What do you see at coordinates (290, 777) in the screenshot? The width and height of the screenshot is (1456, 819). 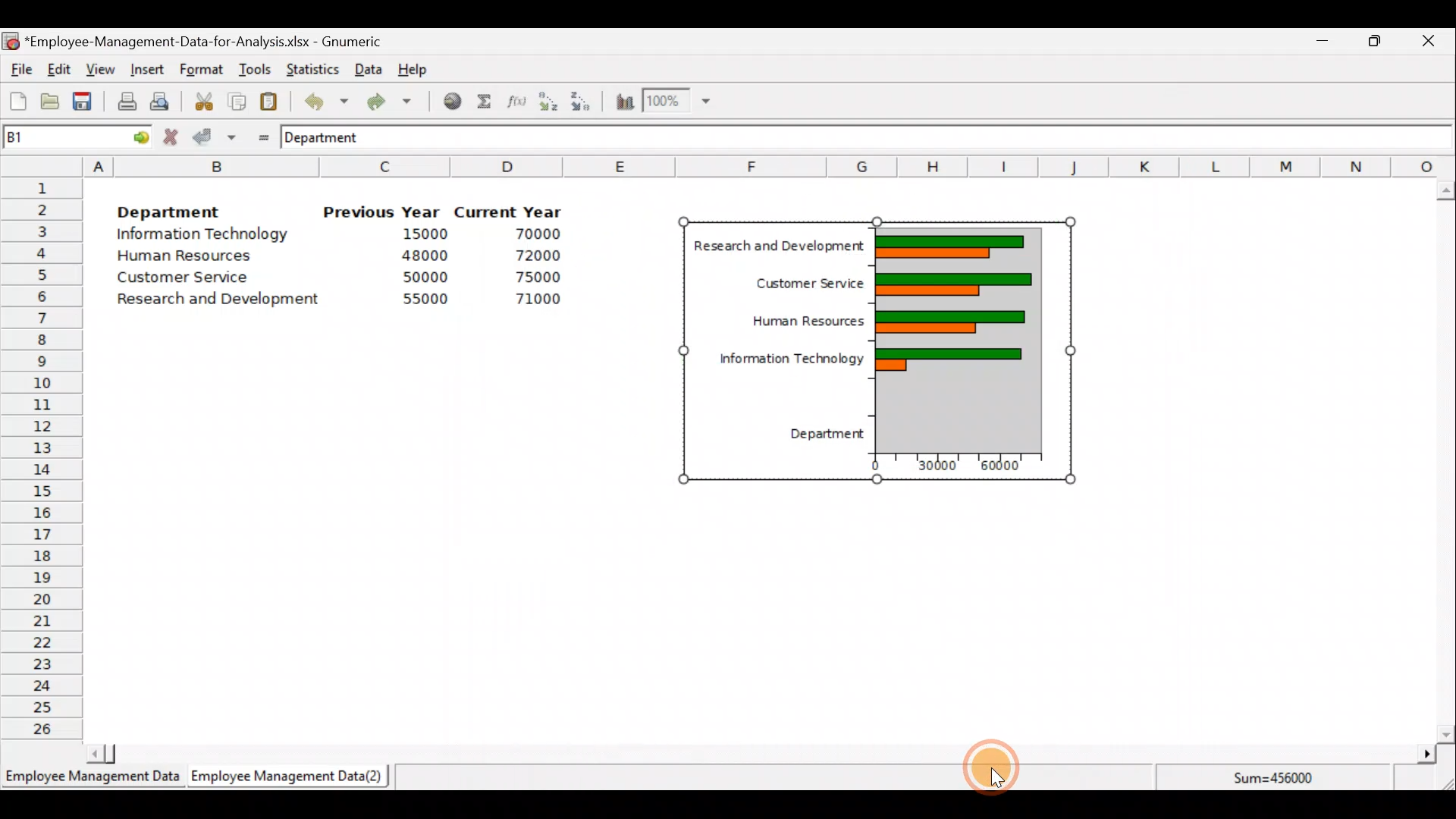 I see `Employee Management Data (2)` at bounding box center [290, 777].